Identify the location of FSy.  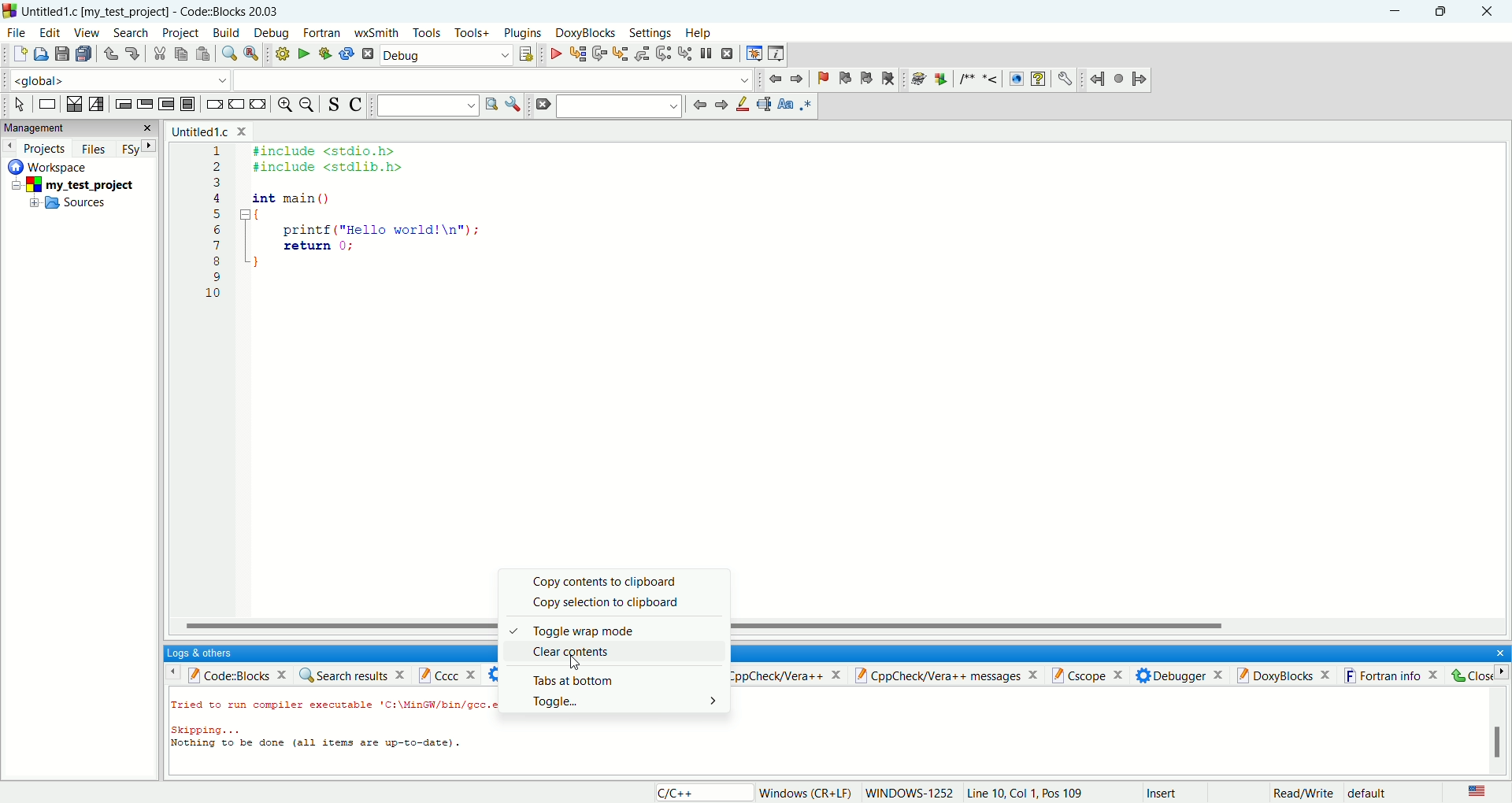
(136, 148).